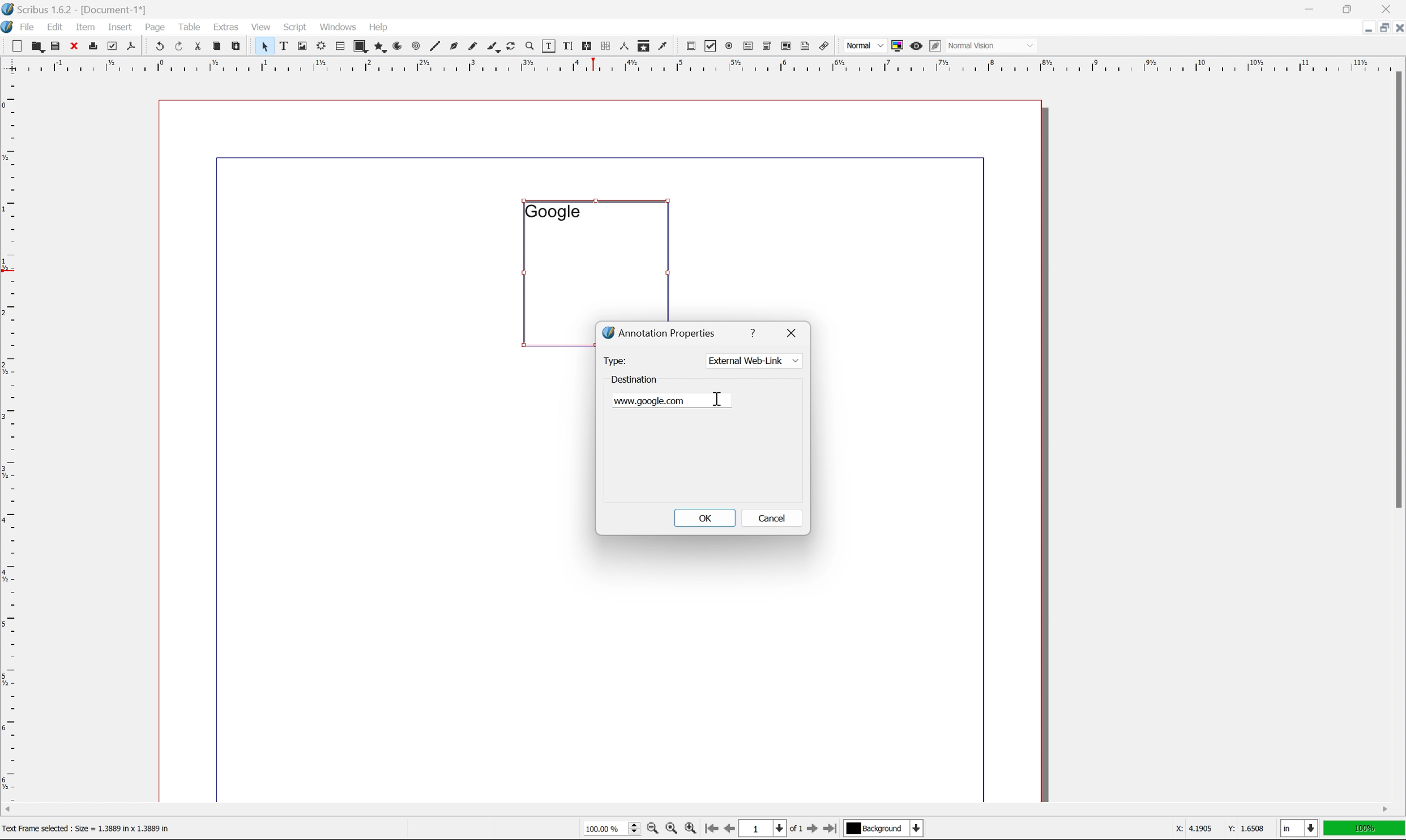 The image size is (1406, 840). Describe the element at coordinates (710, 829) in the screenshot. I see `go to first page` at that location.